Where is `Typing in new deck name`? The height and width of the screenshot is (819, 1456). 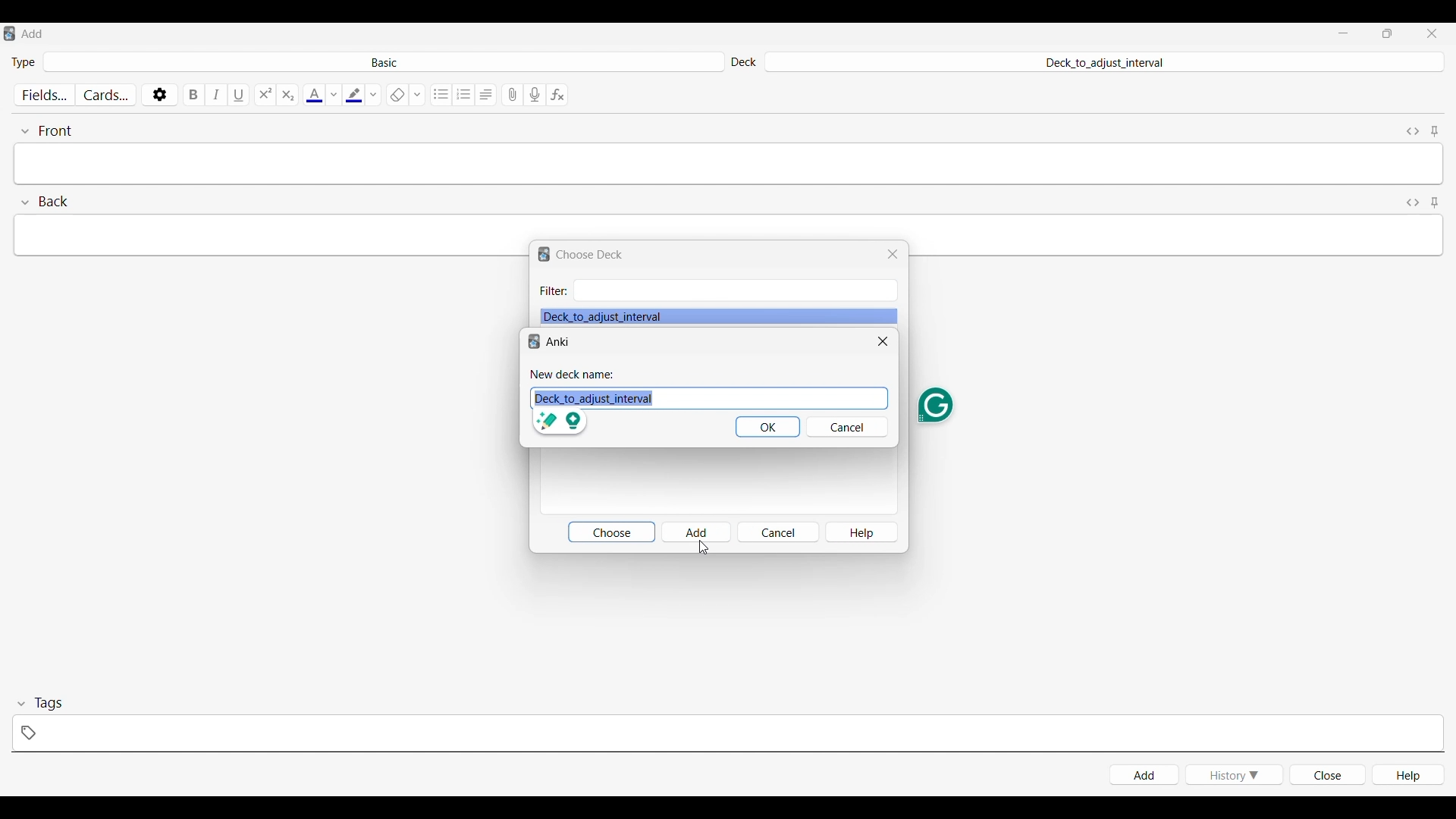 Typing in new deck name is located at coordinates (690, 398).